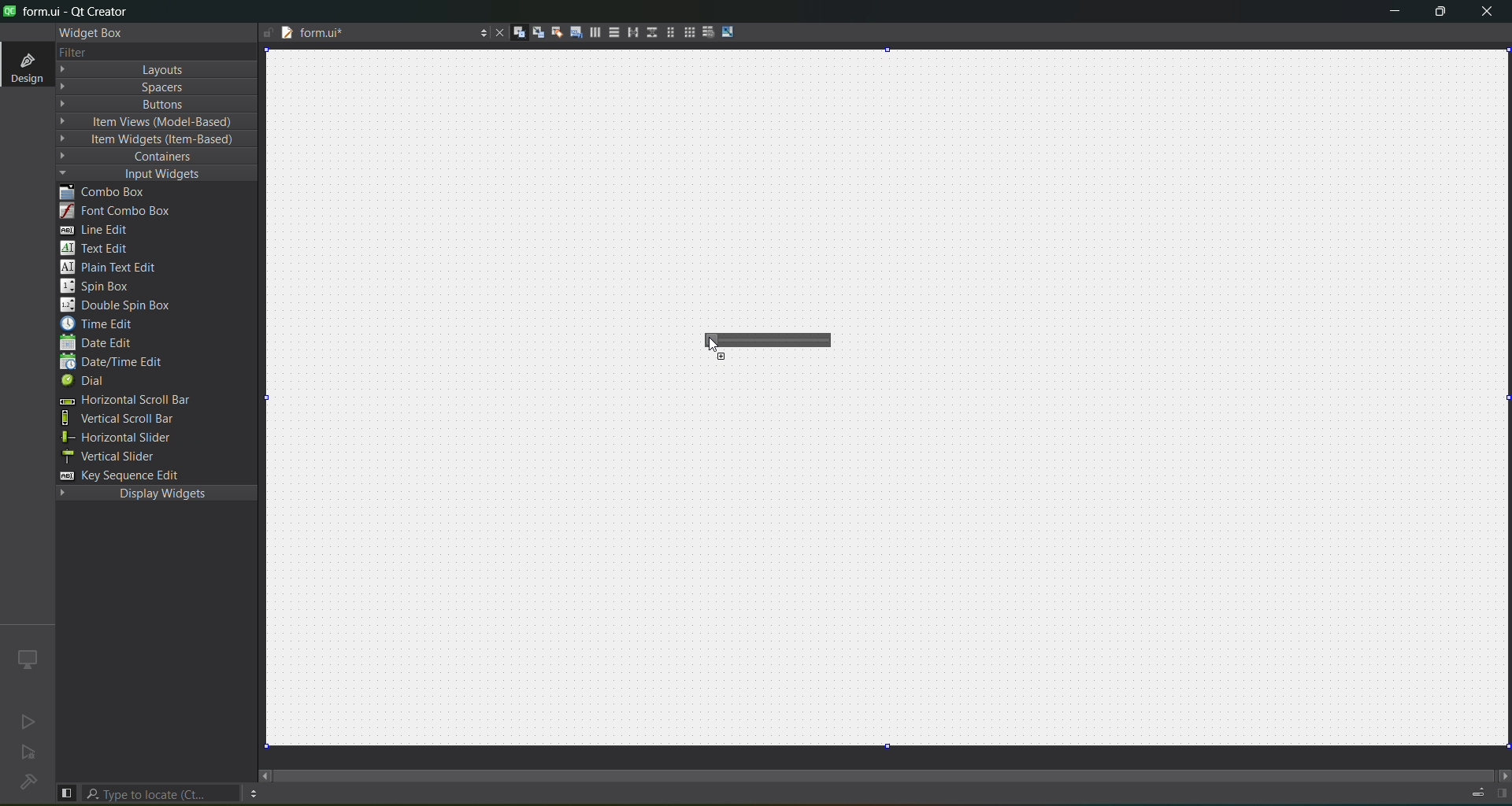 This screenshot has width=1512, height=806. Describe the element at coordinates (732, 31) in the screenshot. I see `adjust size` at that location.